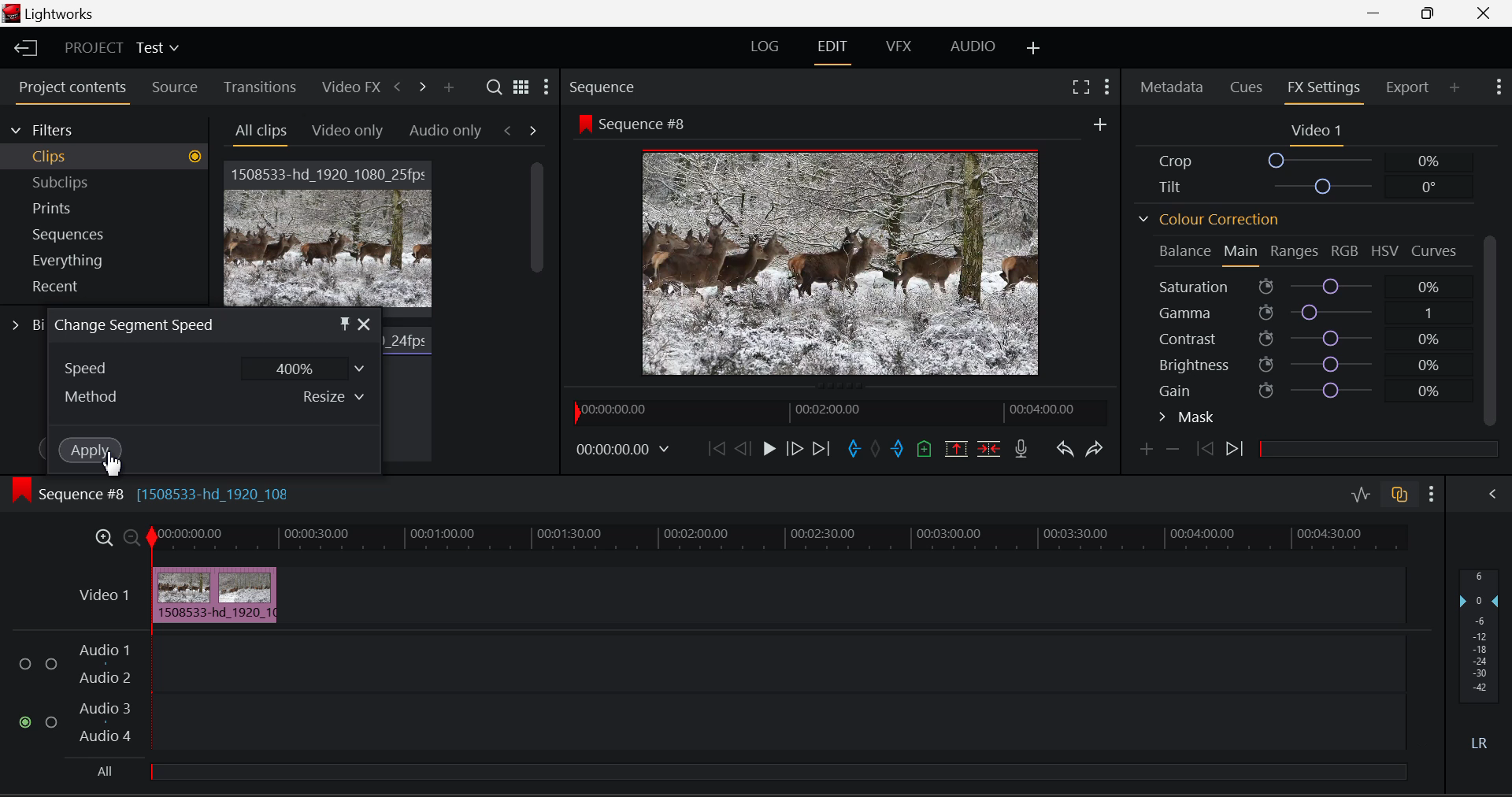  Describe the element at coordinates (877, 447) in the screenshot. I see `Remove All Marks` at that location.